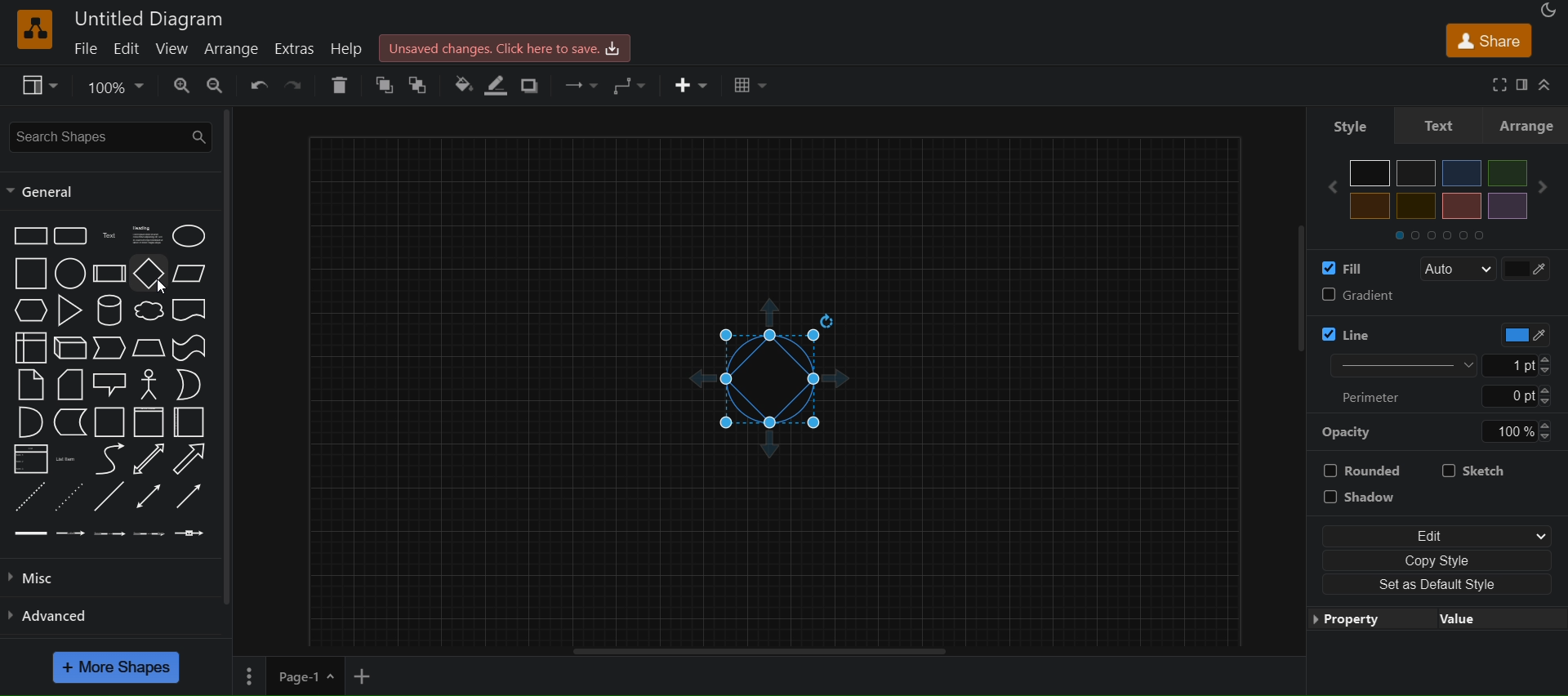 The image size is (1568, 696). What do you see at coordinates (501, 85) in the screenshot?
I see `line color` at bounding box center [501, 85].